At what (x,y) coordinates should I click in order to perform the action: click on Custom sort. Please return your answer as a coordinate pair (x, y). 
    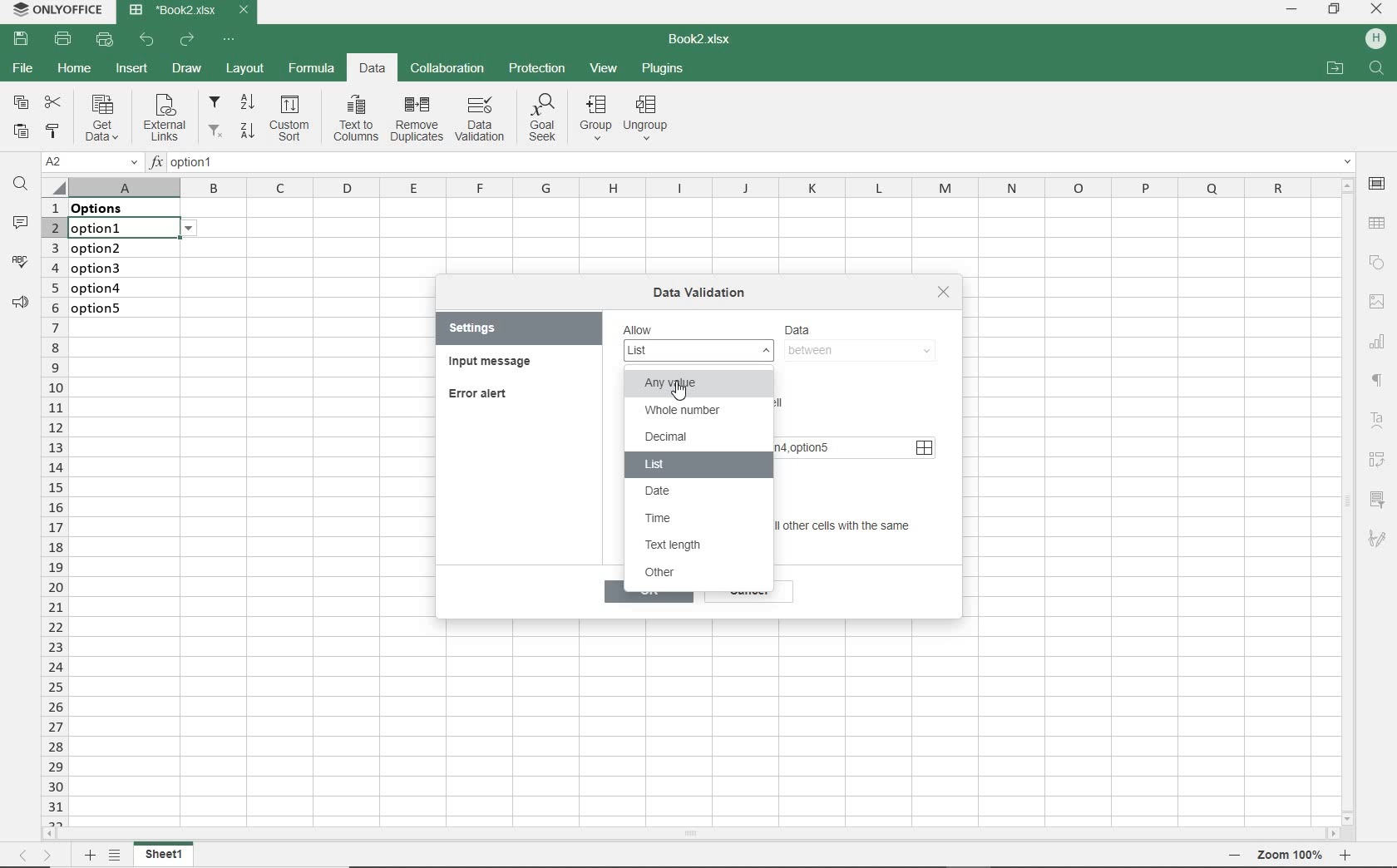
    Looking at the image, I should click on (292, 118).